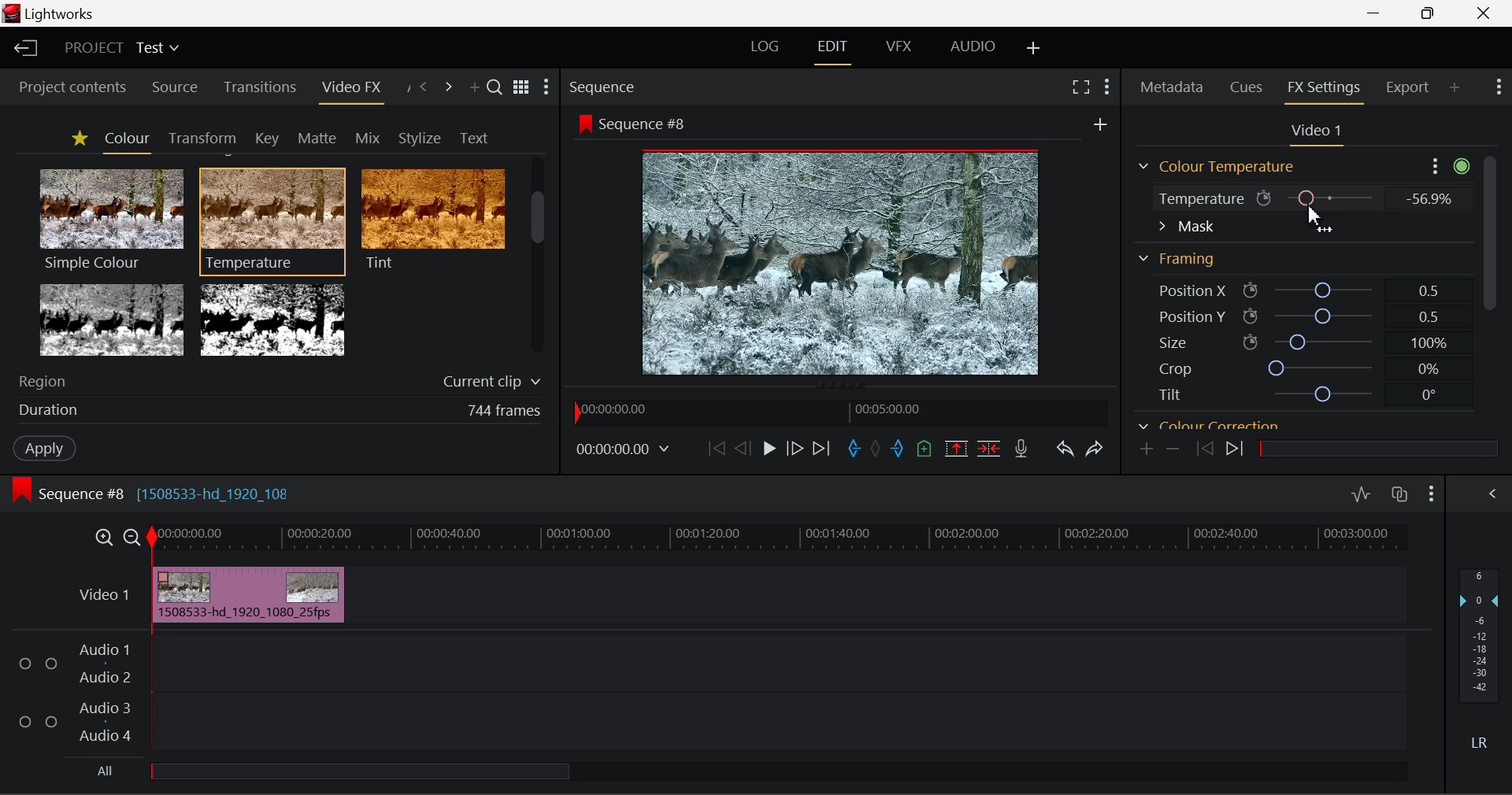  Describe the element at coordinates (1322, 291) in the screenshot. I see `Position X` at that location.